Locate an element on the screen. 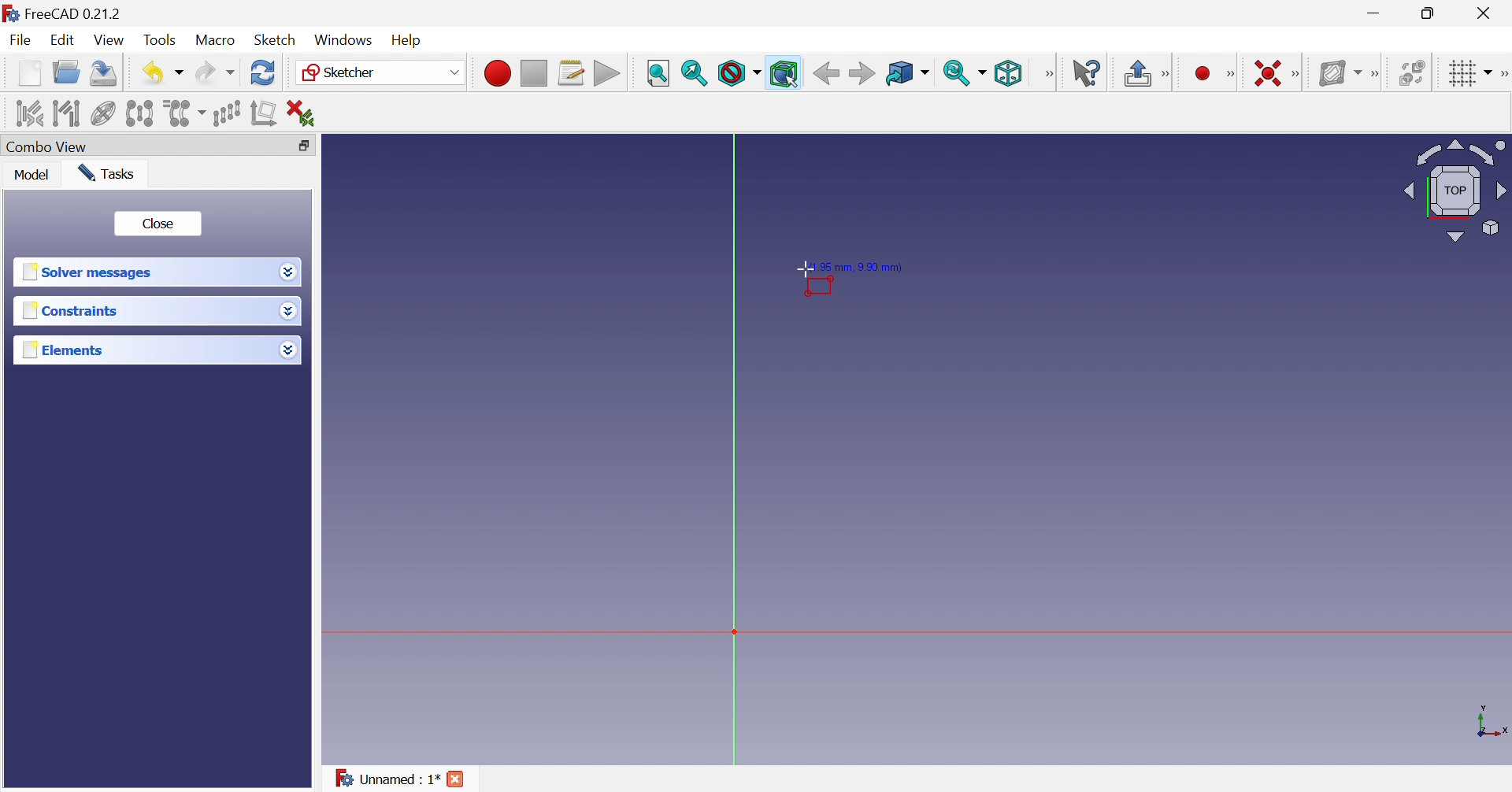 The image size is (1512, 792). Windows is located at coordinates (343, 41).